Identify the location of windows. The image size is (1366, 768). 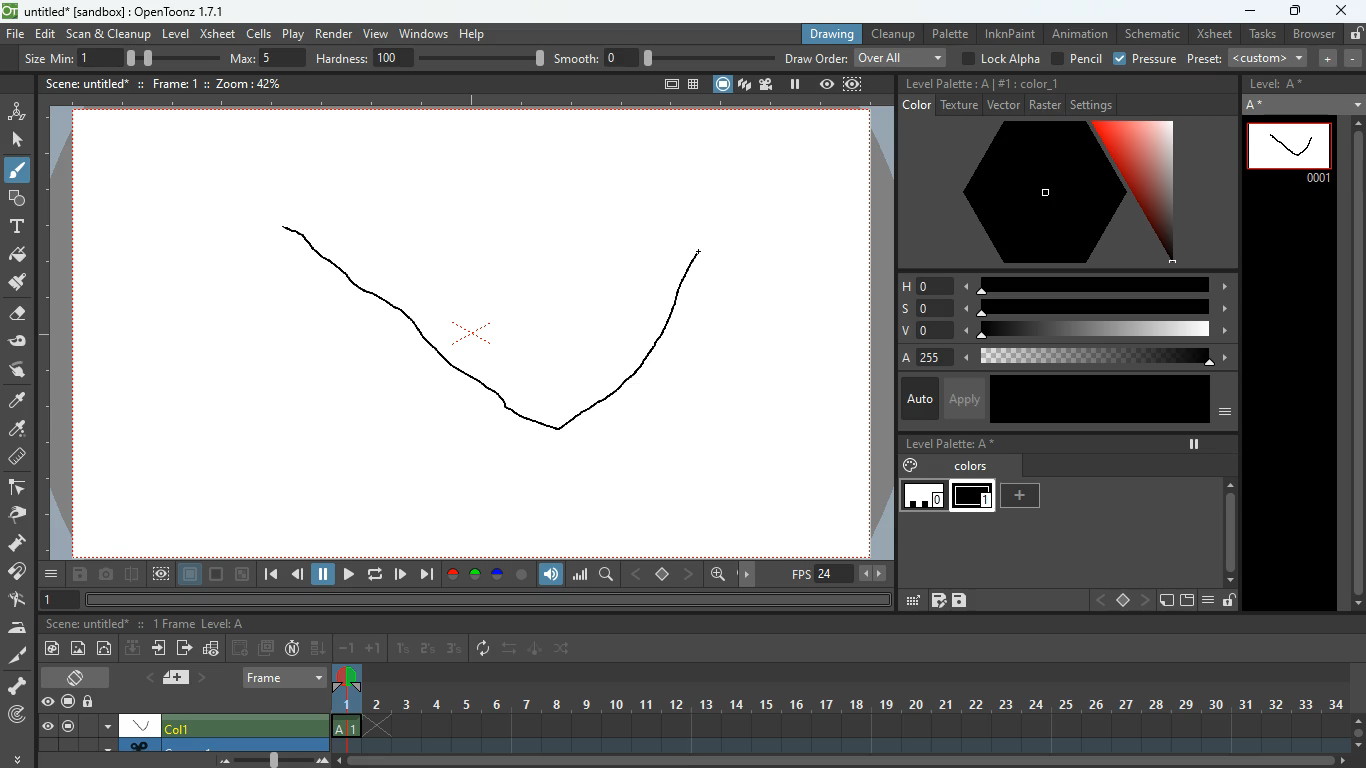
(423, 31).